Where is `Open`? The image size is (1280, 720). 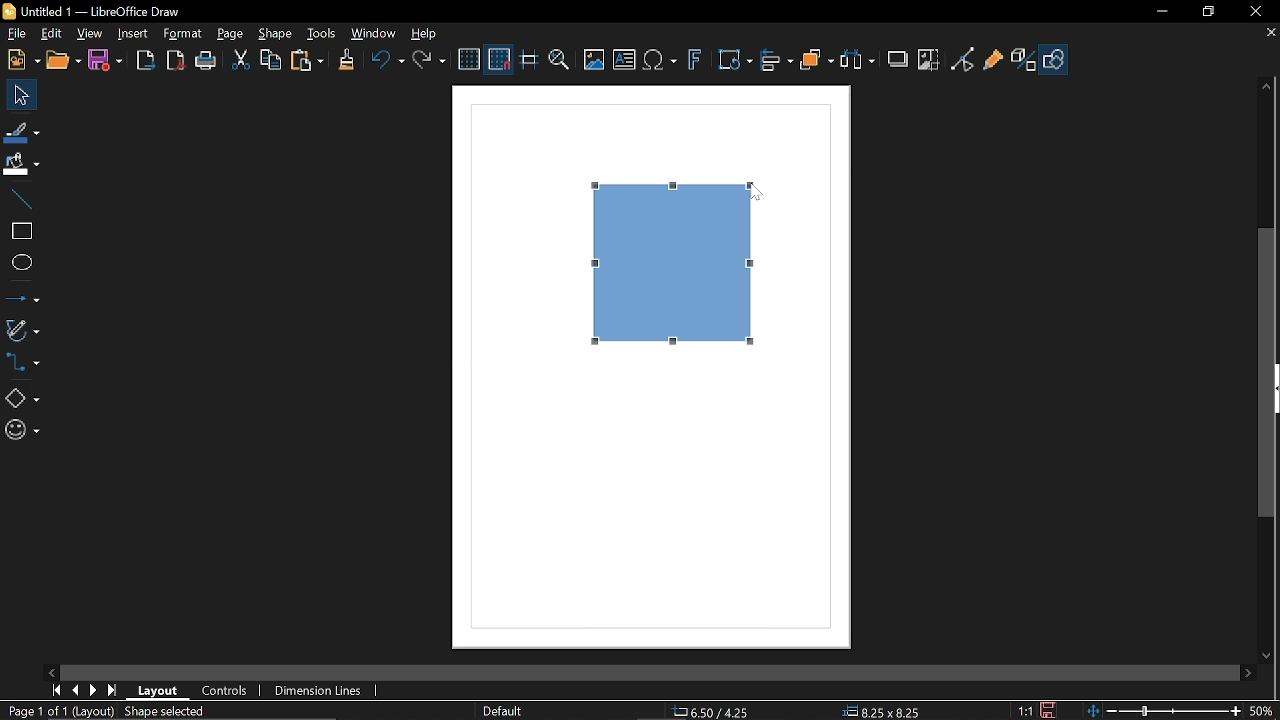
Open is located at coordinates (63, 62).